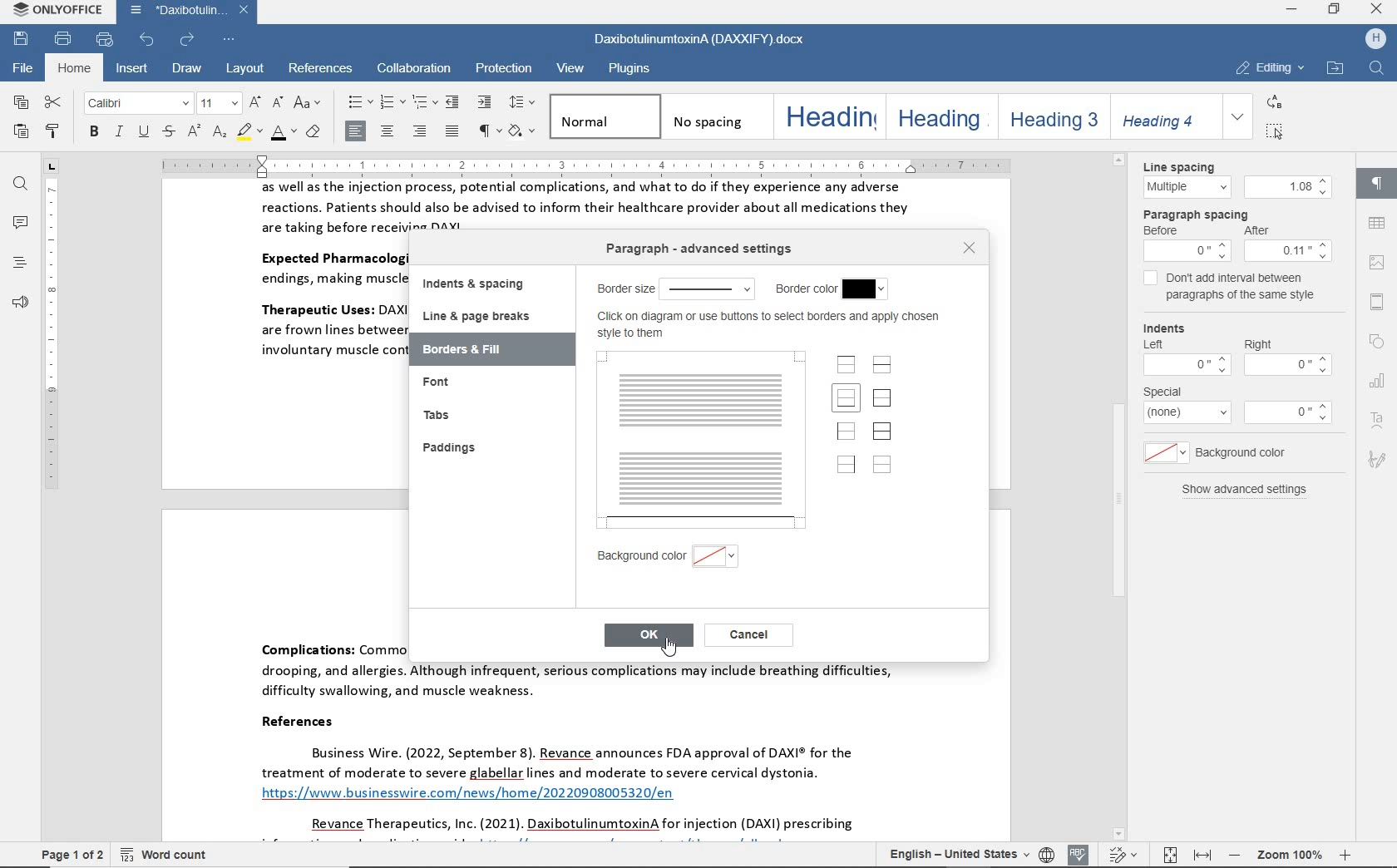 Image resolution: width=1397 pixels, height=868 pixels. What do you see at coordinates (17, 264) in the screenshot?
I see `headings` at bounding box center [17, 264].